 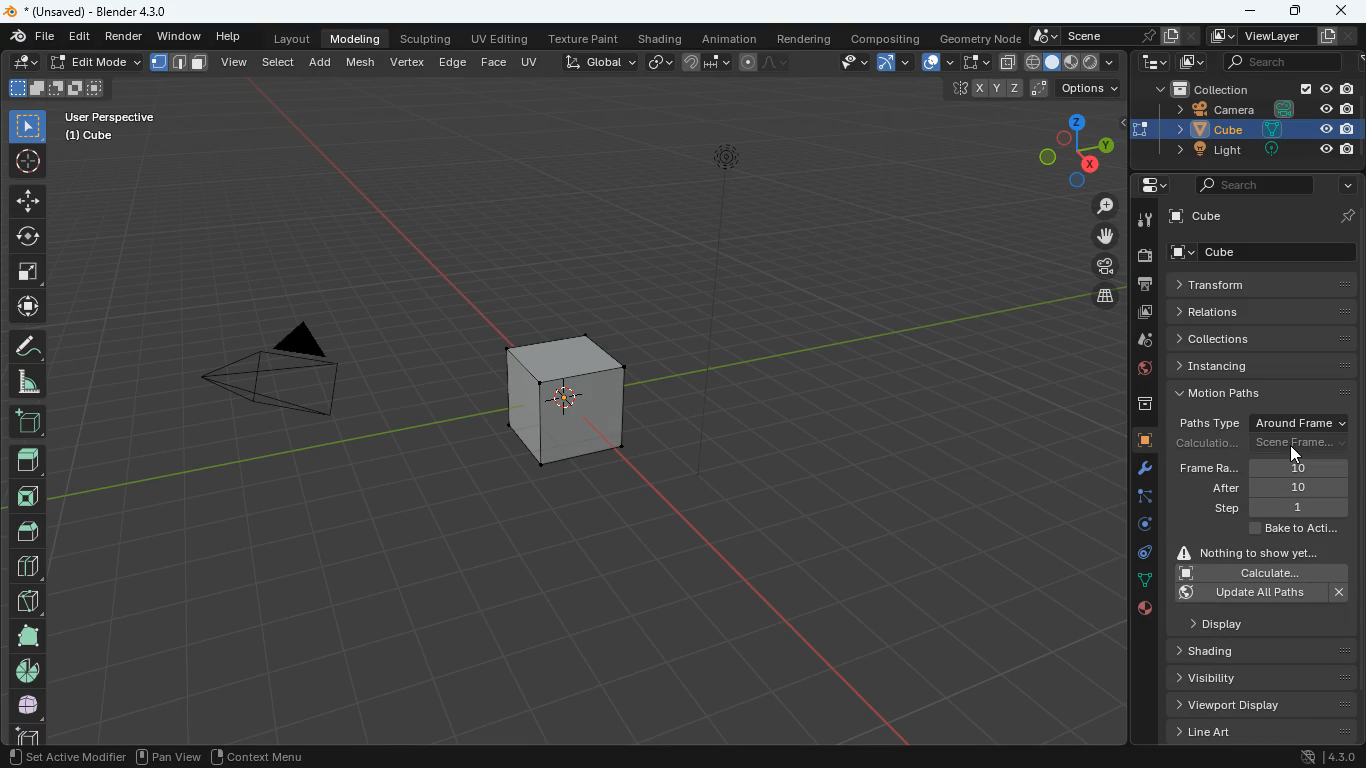 What do you see at coordinates (1330, 758) in the screenshot?
I see `version` at bounding box center [1330, 758].